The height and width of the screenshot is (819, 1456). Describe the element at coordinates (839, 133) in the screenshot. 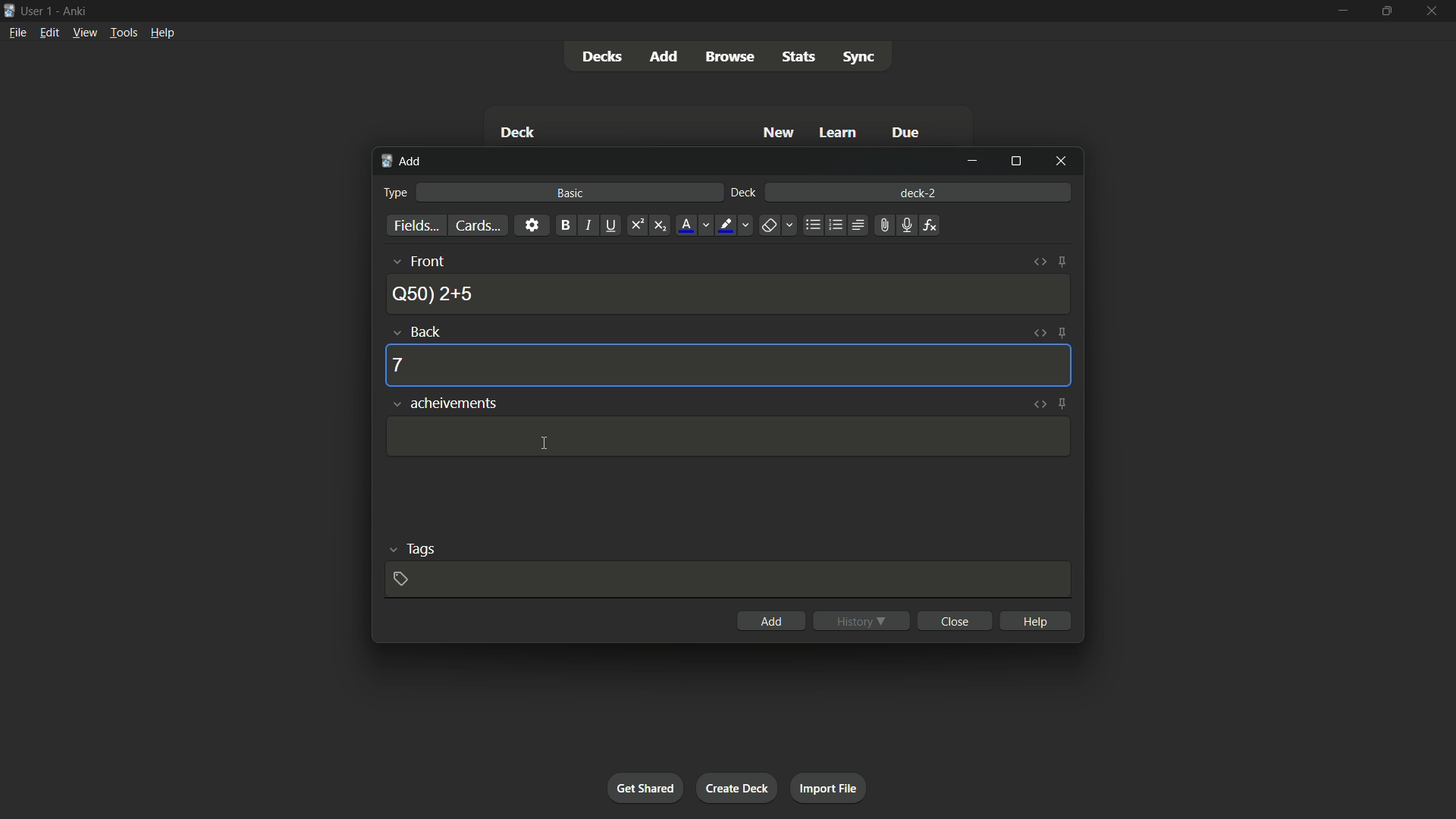

I see `Learn` at that location.